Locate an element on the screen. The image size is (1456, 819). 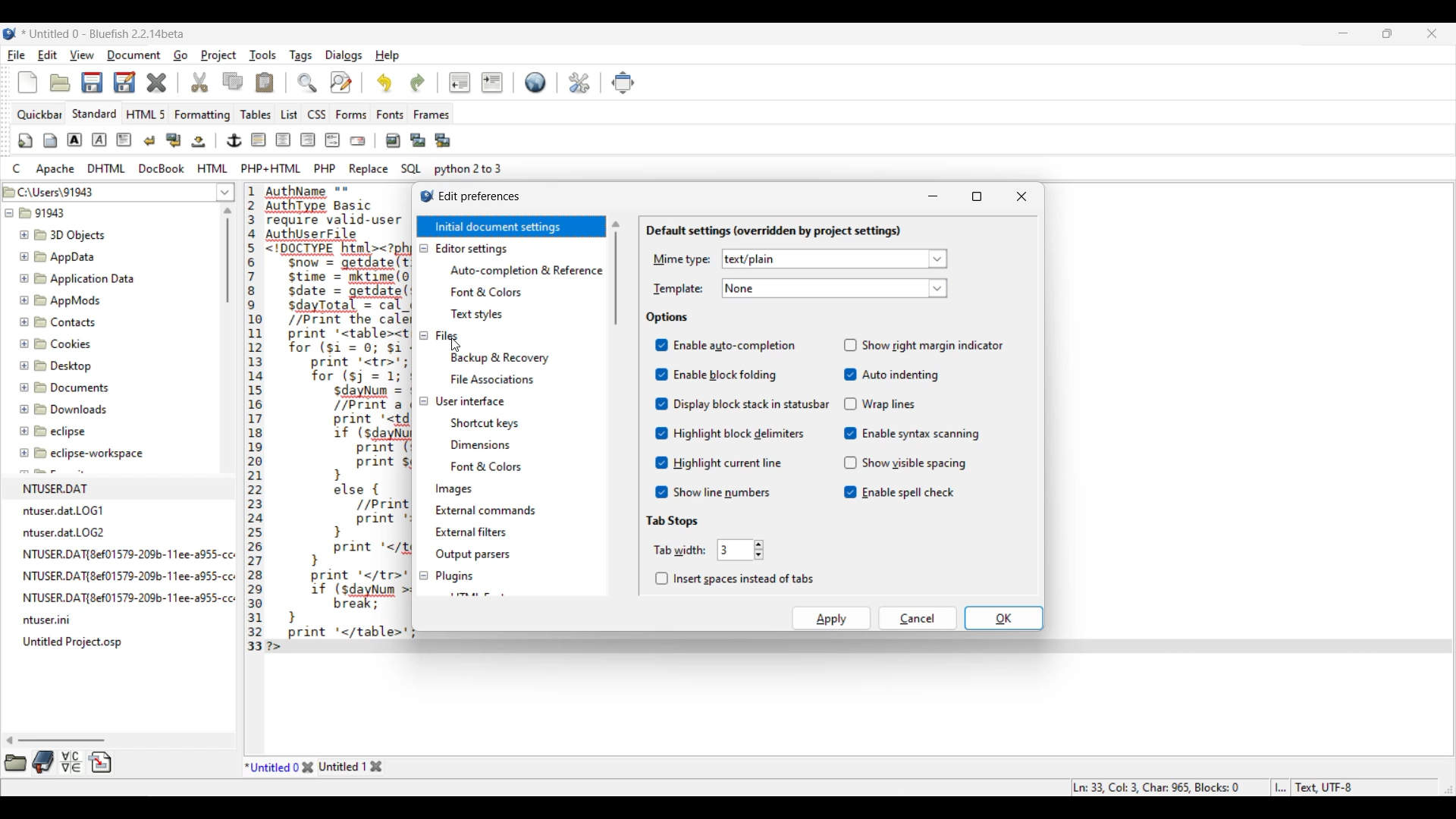
Input width is located at coordinates (735, 550).